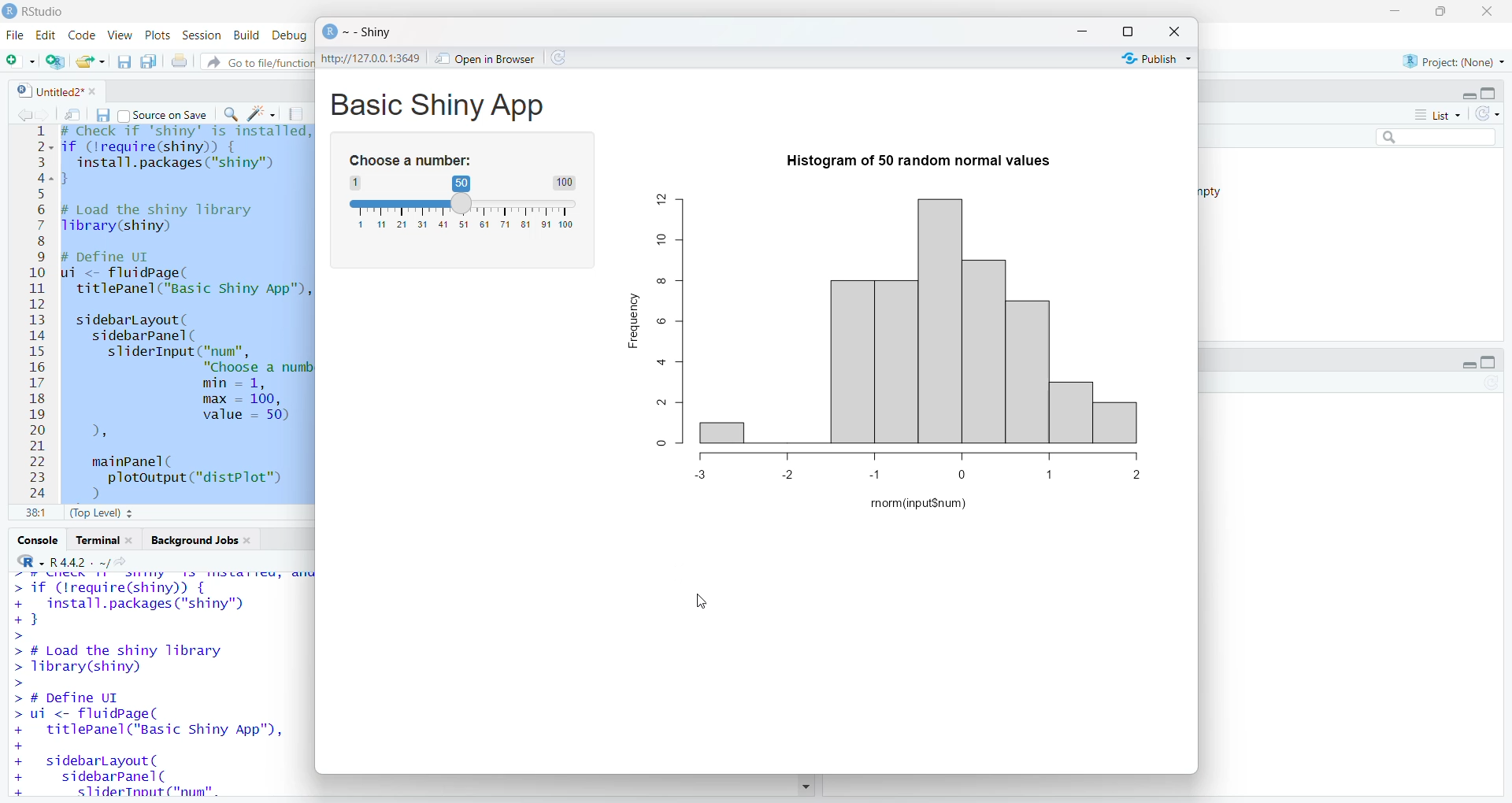 The image size is (1512, 803). What do you see at coordinates (118, 776) in the screenshot?
I see `+ sidebarLayout(
+ sidebarpanel(
+ sliderTnout ("num" .` at bounding box center [118, 776].